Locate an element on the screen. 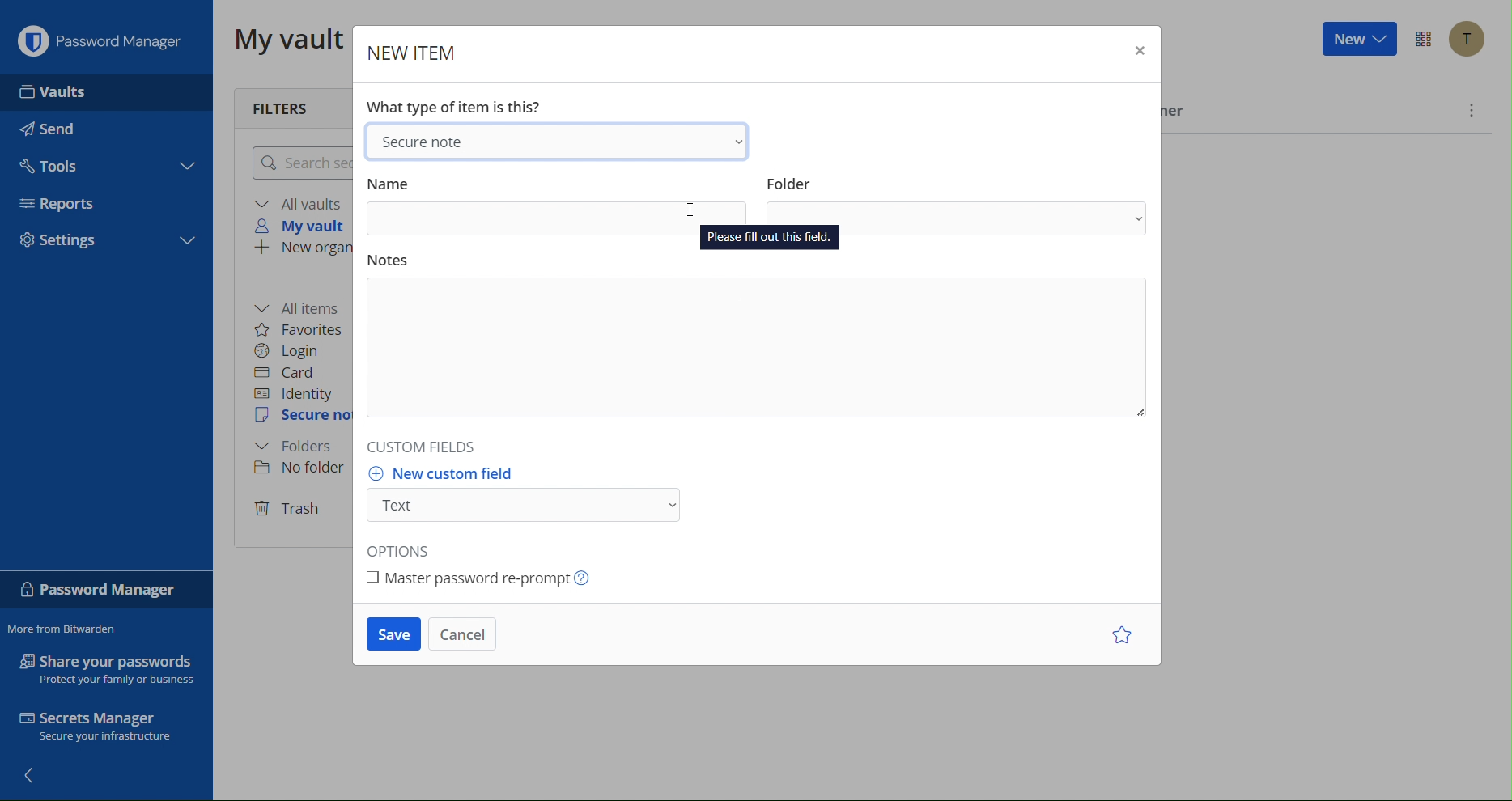 The height and width of the screenshot is (801, 1512). More from Bitwarden is located at coordinates (64, 629).